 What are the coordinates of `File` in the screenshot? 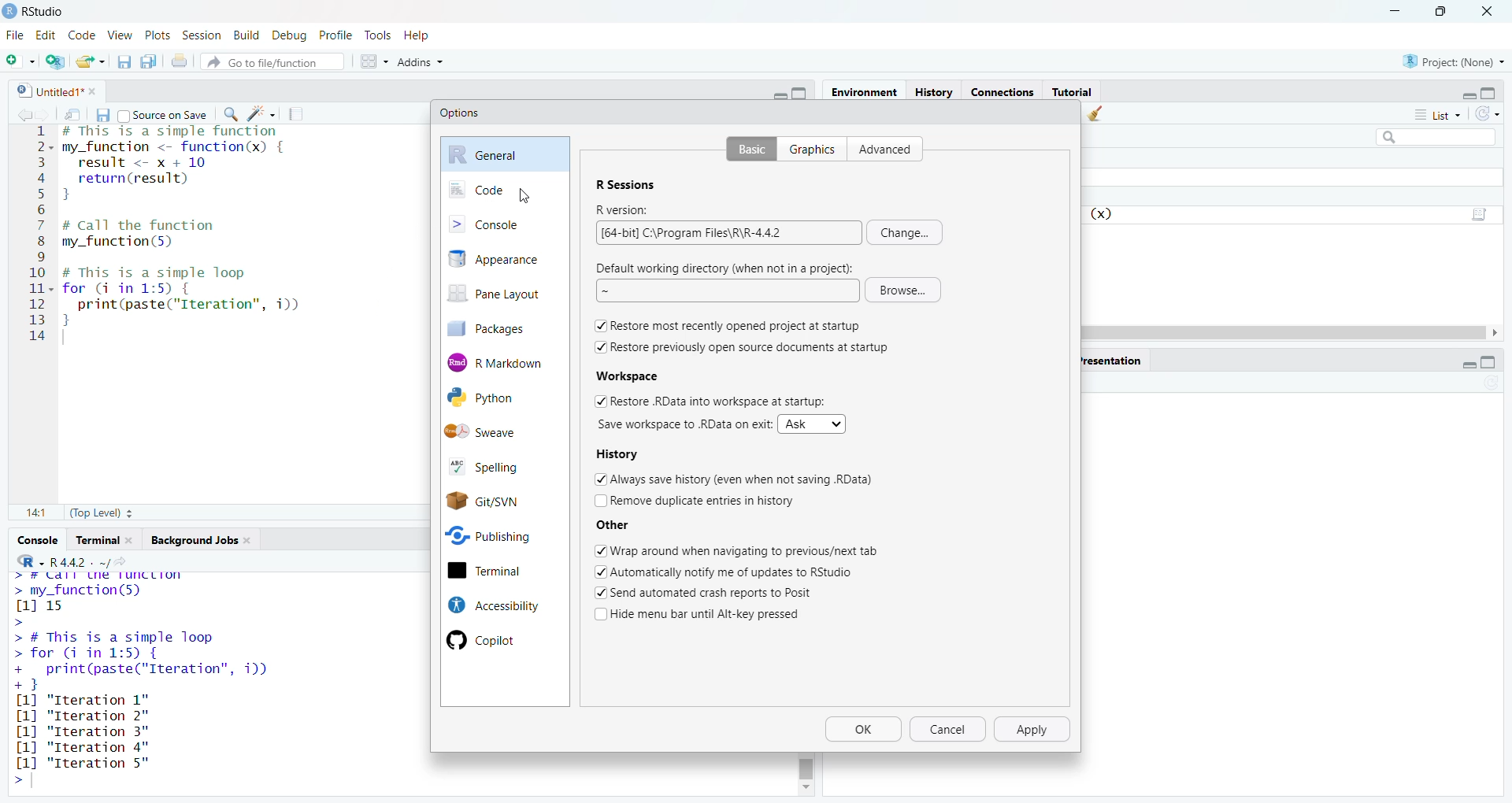 It's located at (15, 35).